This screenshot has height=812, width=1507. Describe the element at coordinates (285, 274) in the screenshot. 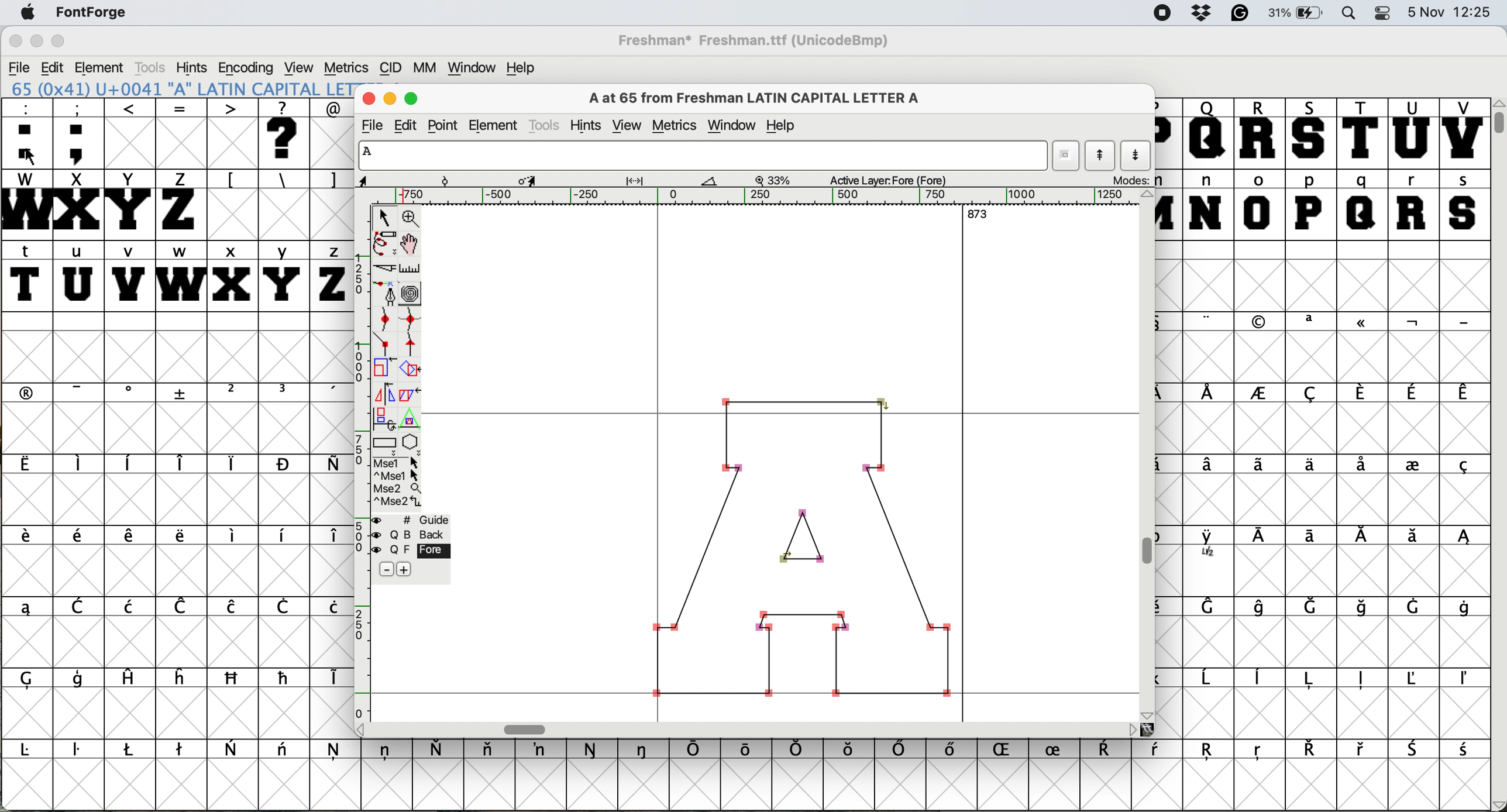

I see `y` at that location.